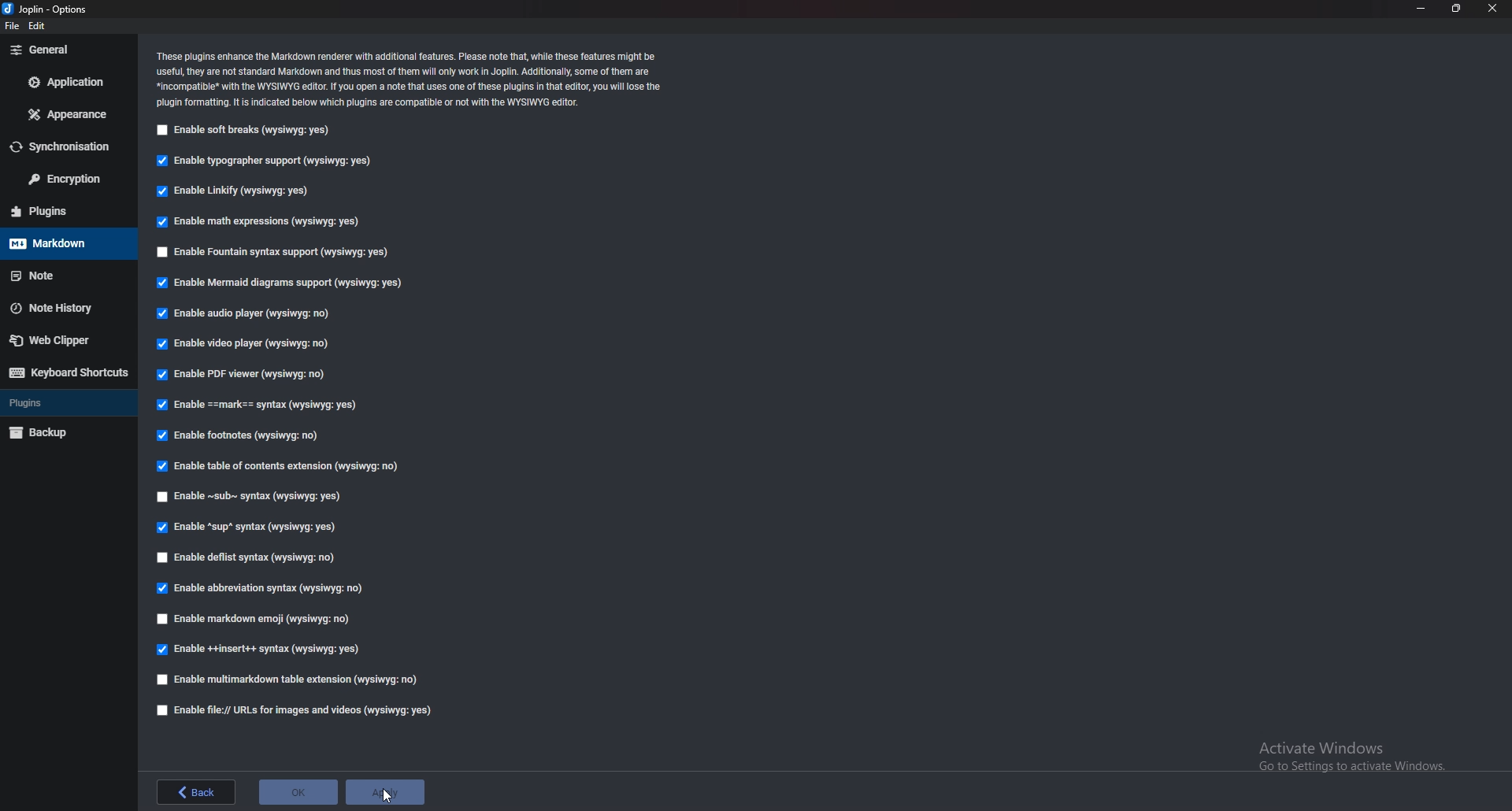  I want to click on enable multi markdown table extension, so click(295, 679).